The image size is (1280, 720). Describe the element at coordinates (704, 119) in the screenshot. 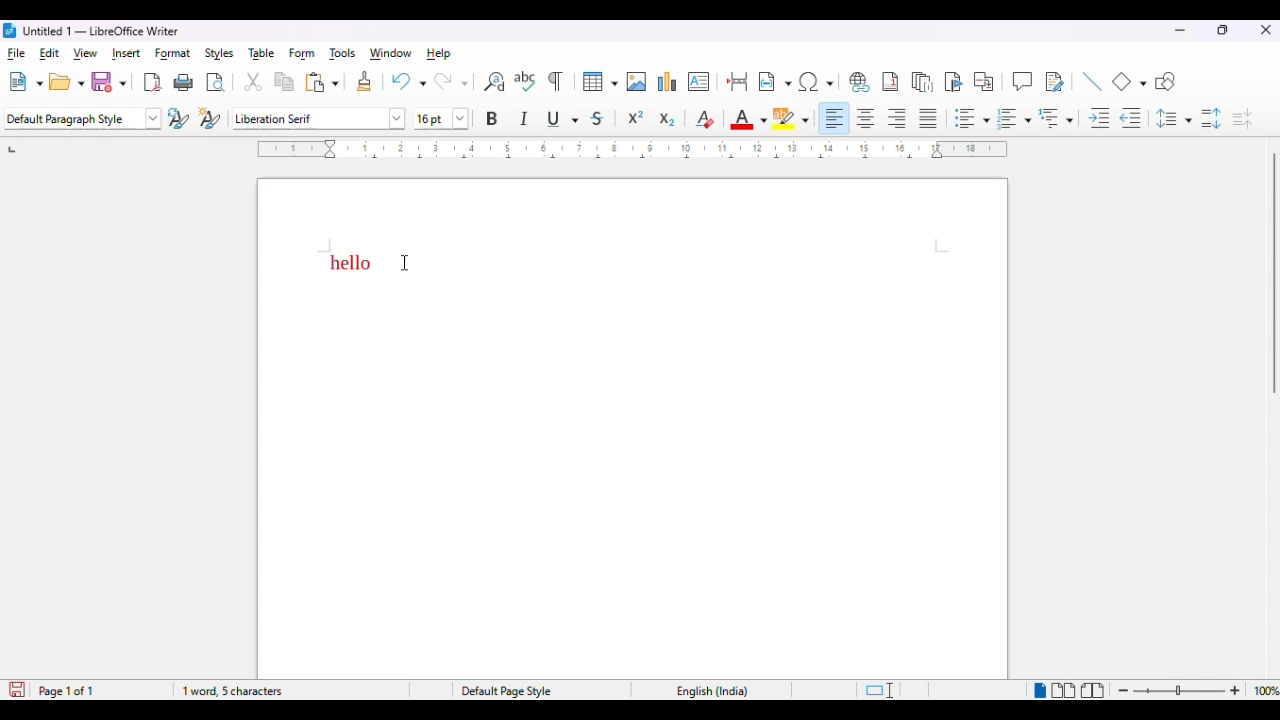

I see `clear direct formatting` at that location.